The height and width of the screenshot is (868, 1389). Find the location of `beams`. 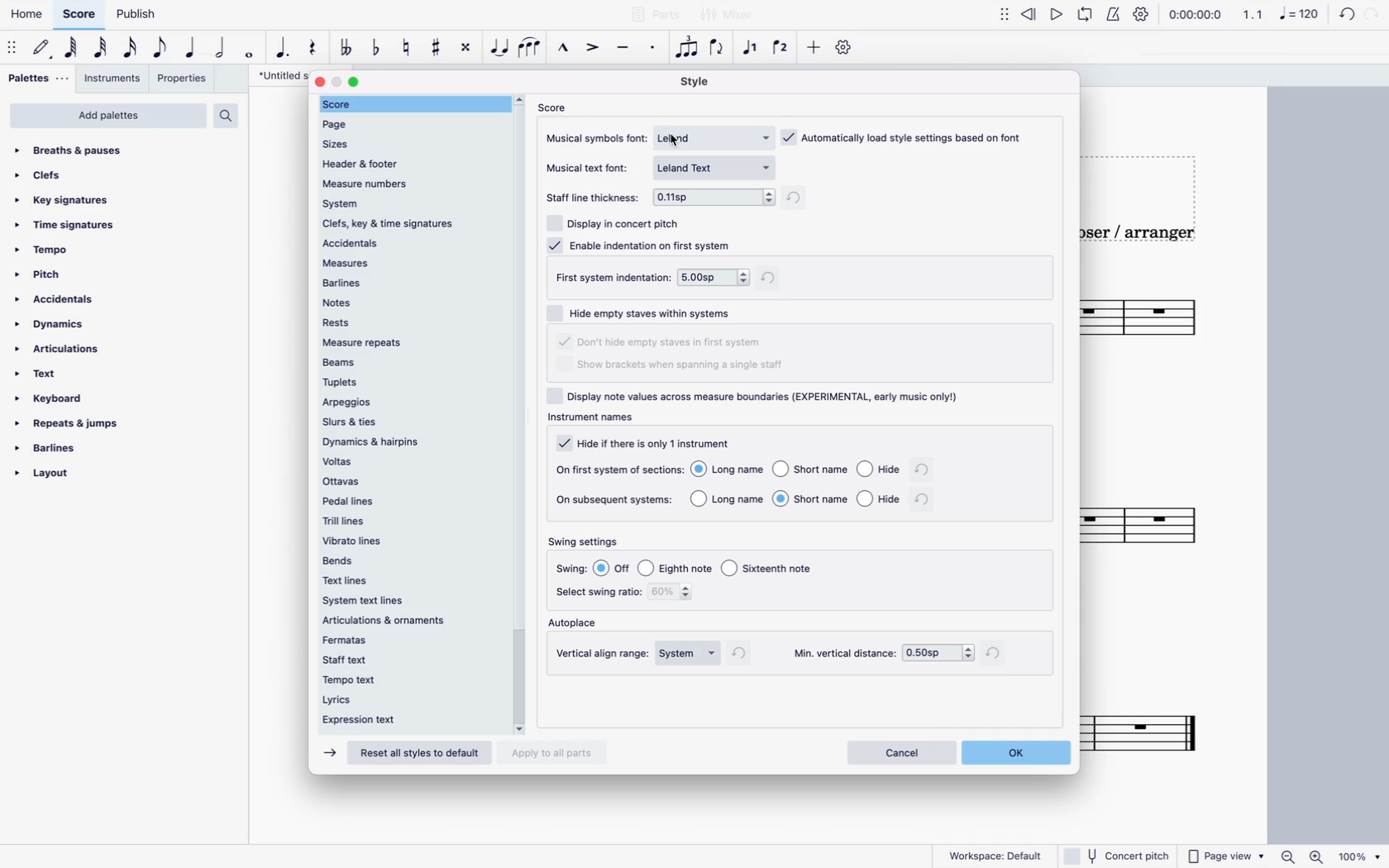

beams is located at coordinates (410, 361).